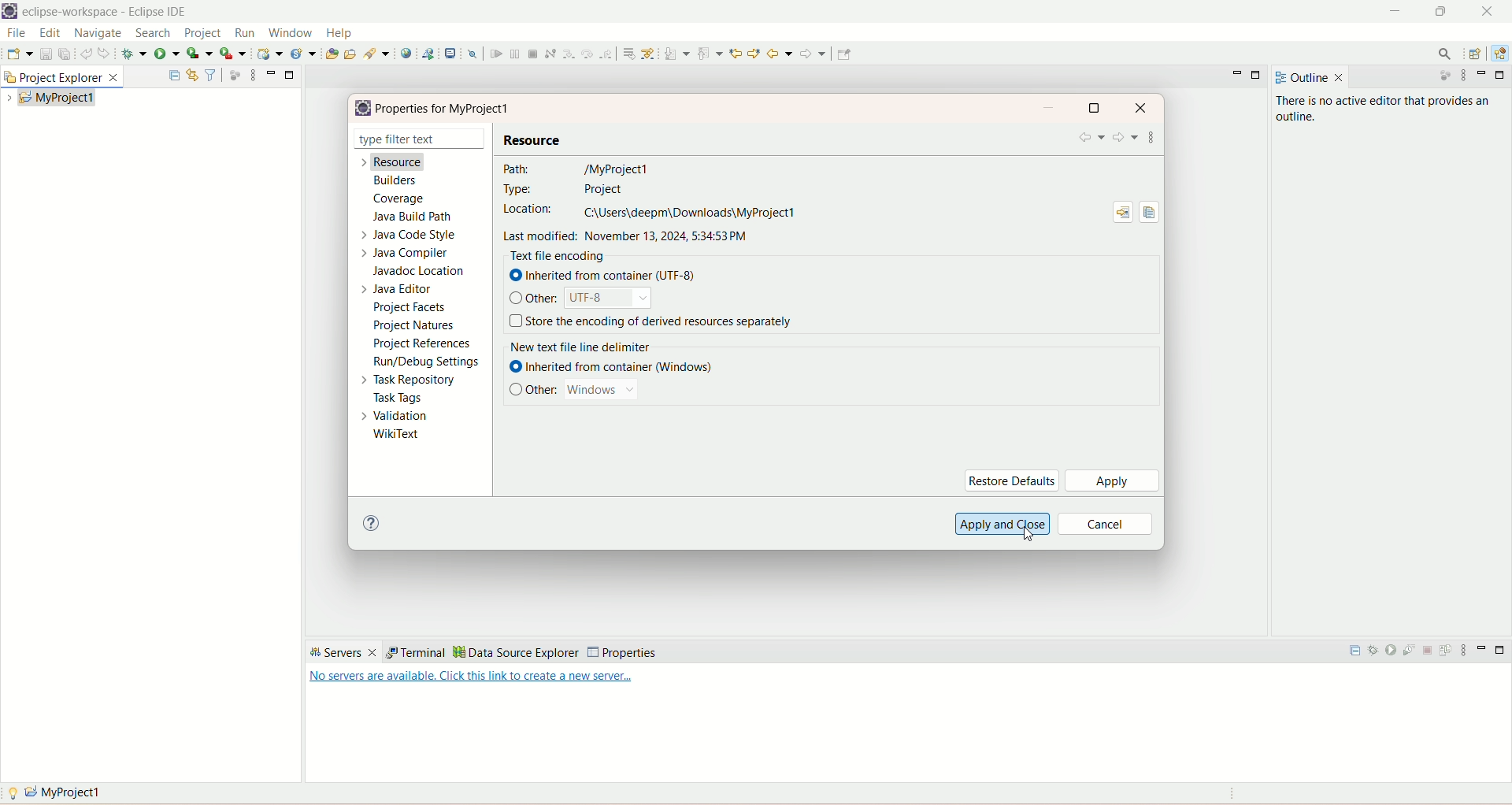 This screenshot has height=805, width=1512. Describe the element at coordinates (65, 77) in the screenshot. I see `project explorer` at that location.